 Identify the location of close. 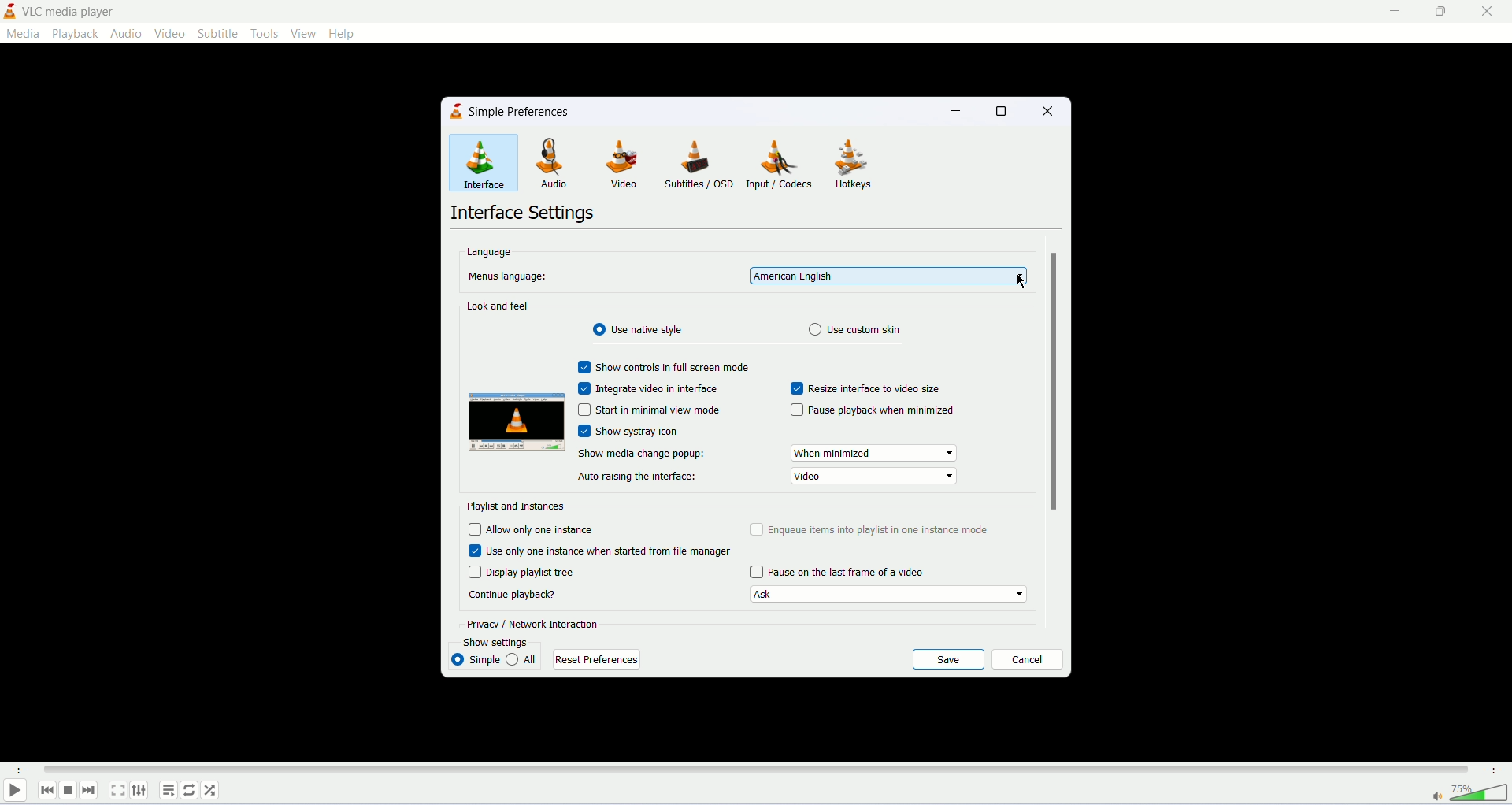
(1486, 14).